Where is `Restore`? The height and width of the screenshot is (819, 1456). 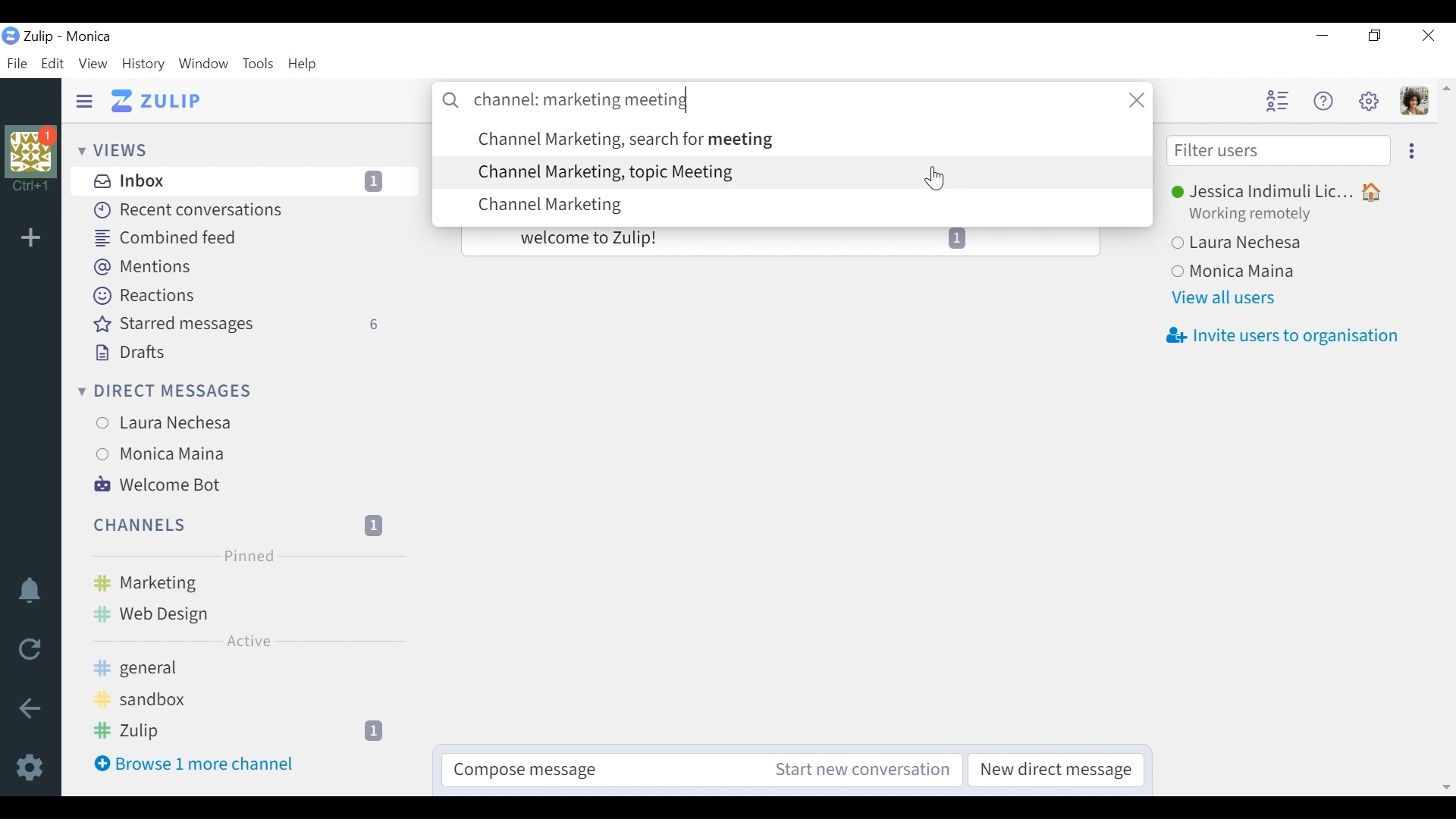 Restore is located at coordinates (1377, 35).